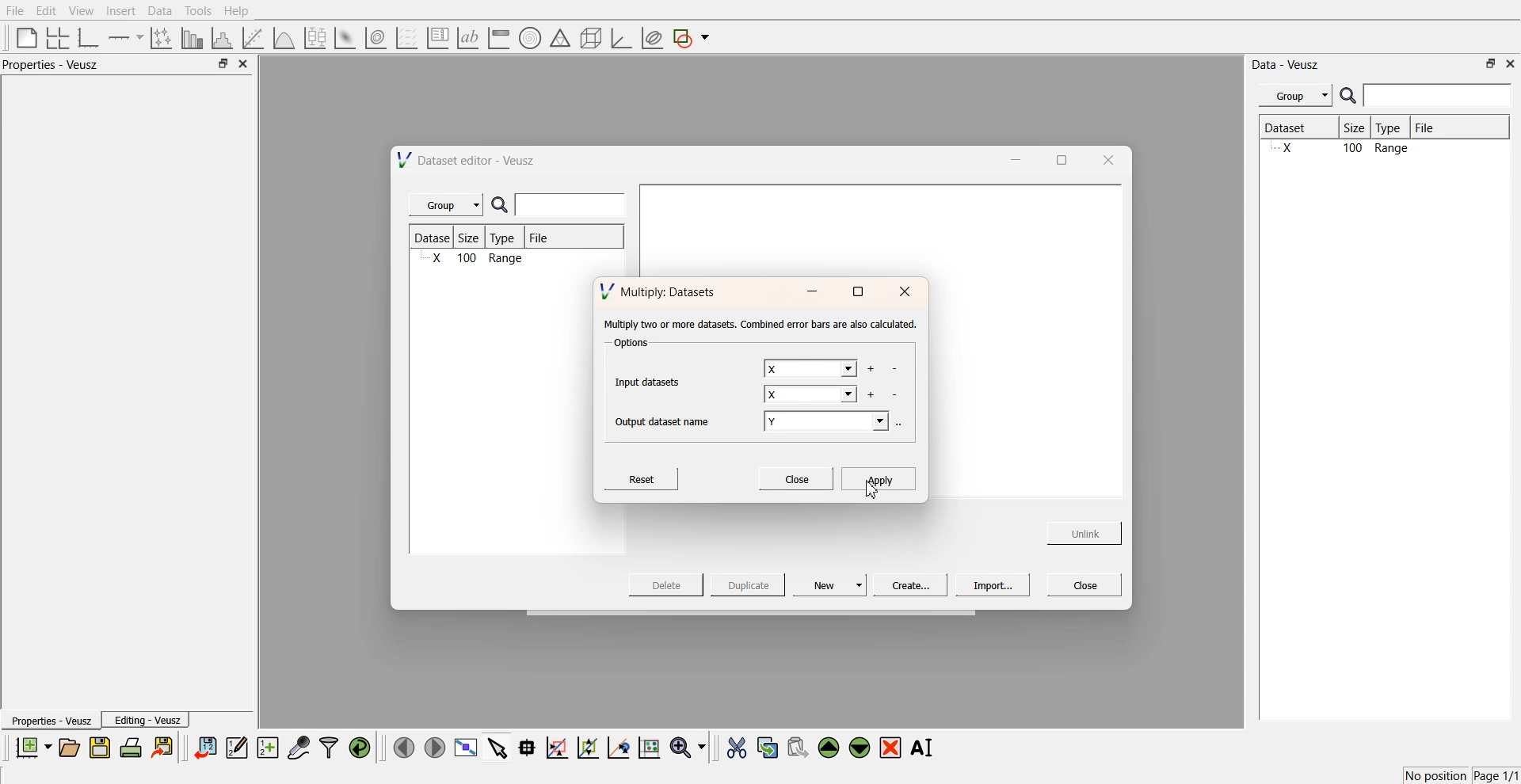 The image size is (1521, 784). What do you see at coordinates (651, 39) in the screenshot?
I see `plot covariance ellipses` at bounding box center [651, 39].